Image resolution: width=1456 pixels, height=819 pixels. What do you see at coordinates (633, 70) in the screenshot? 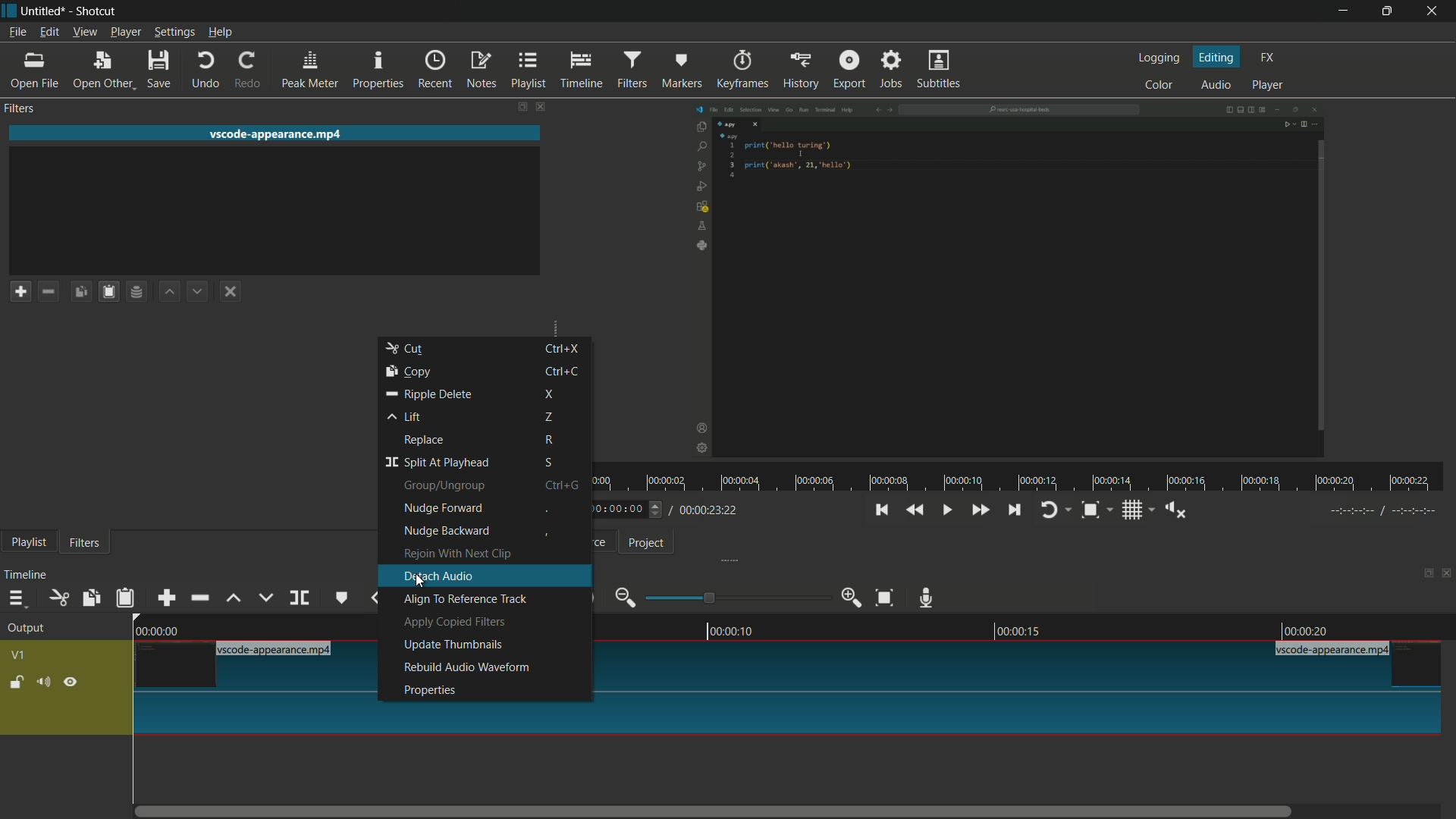
I see `filters` at bounding box center [633, 70].